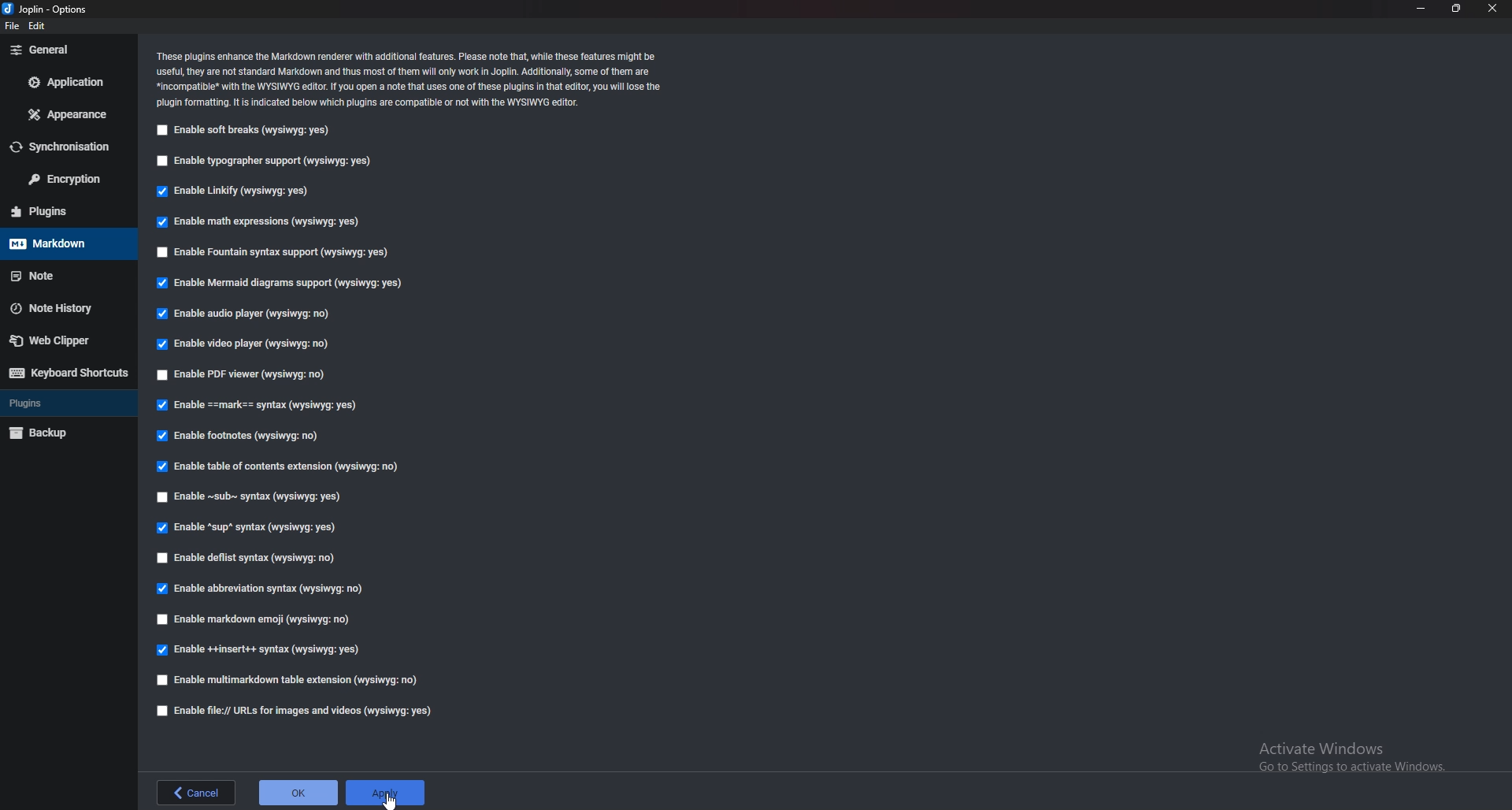  Describe the element at coordinates (14, 26) in the screenshot. I see `file` at that location.